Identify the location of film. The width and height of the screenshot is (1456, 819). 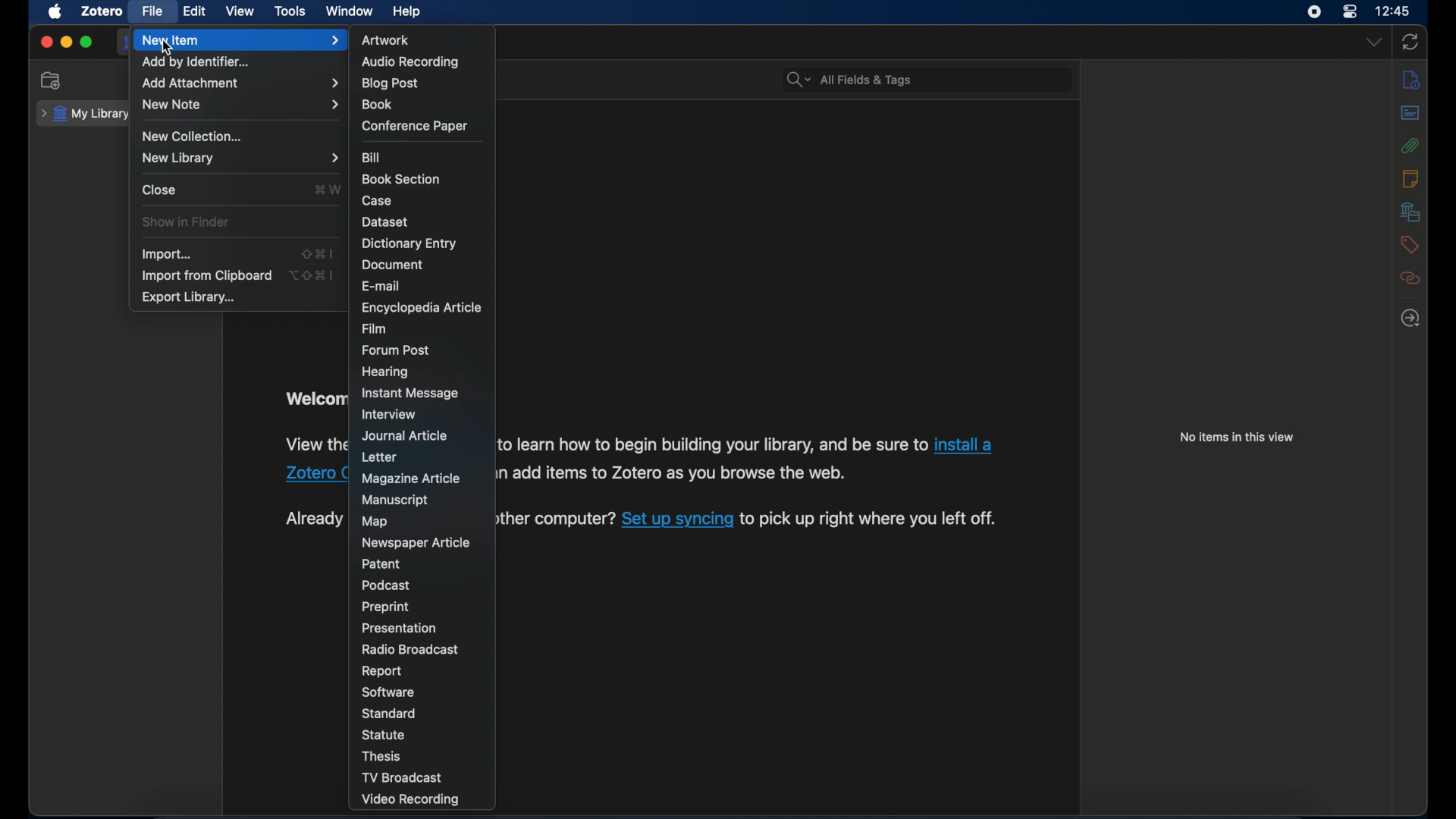
(376, 329).